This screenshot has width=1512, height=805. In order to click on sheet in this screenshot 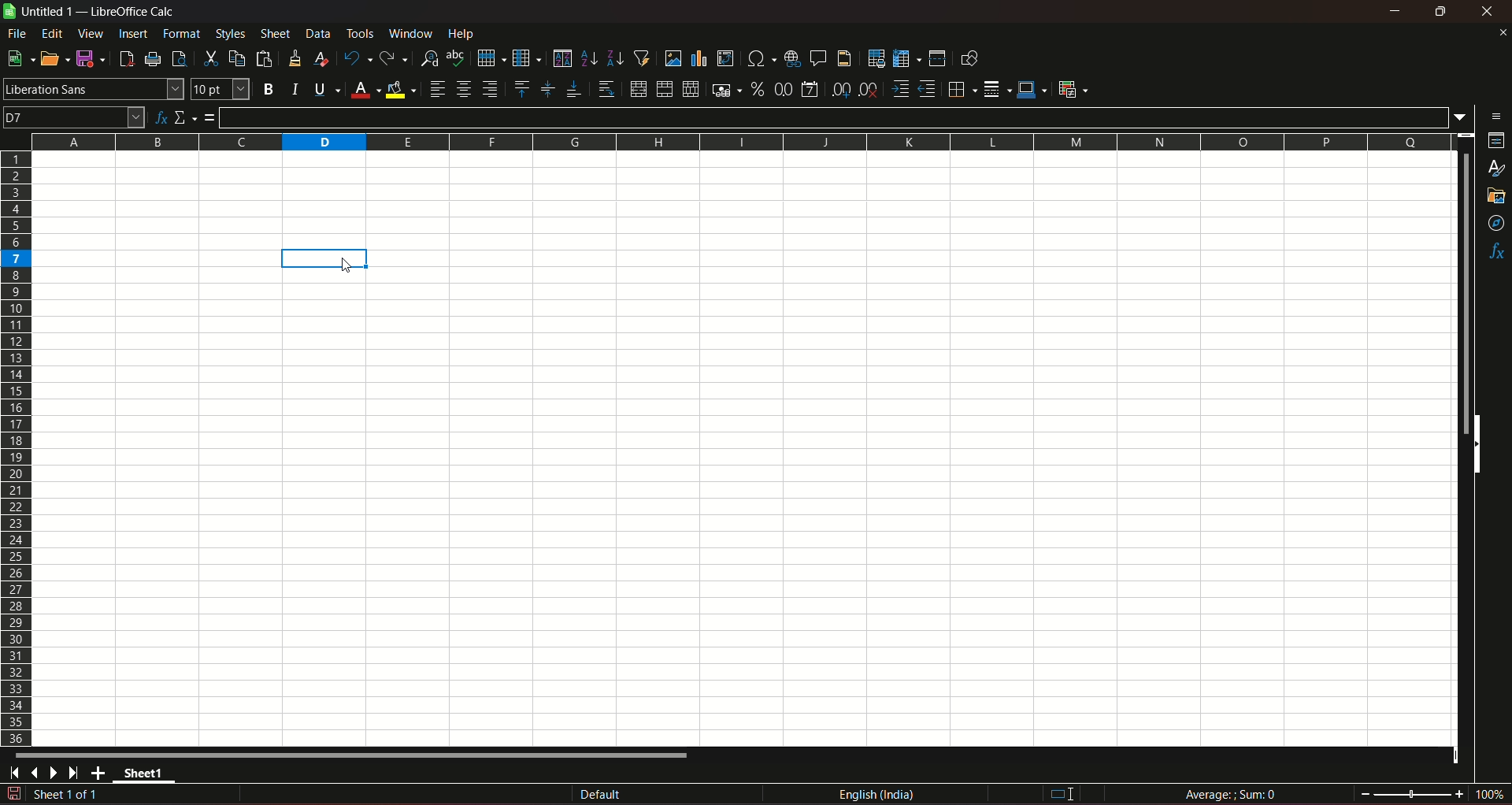, I will do `click(276, 34)`.